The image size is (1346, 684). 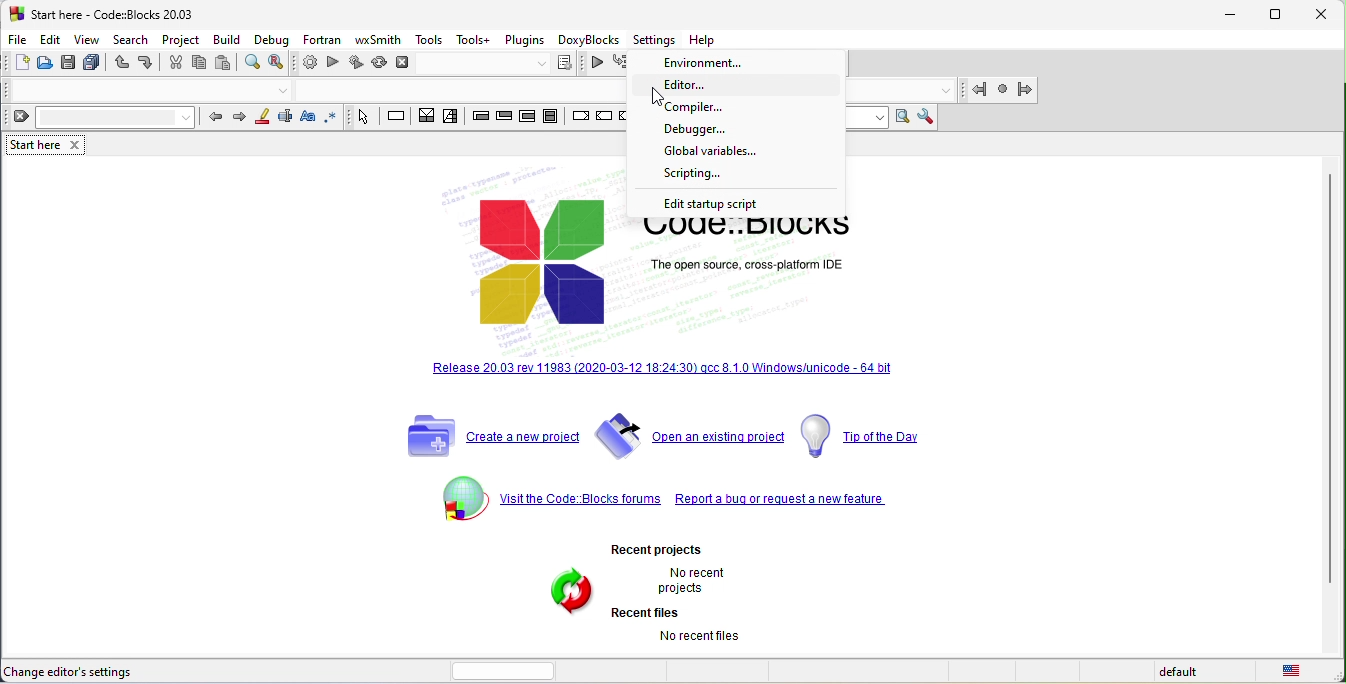 I want to click on clear, so click(x=101, y=119).